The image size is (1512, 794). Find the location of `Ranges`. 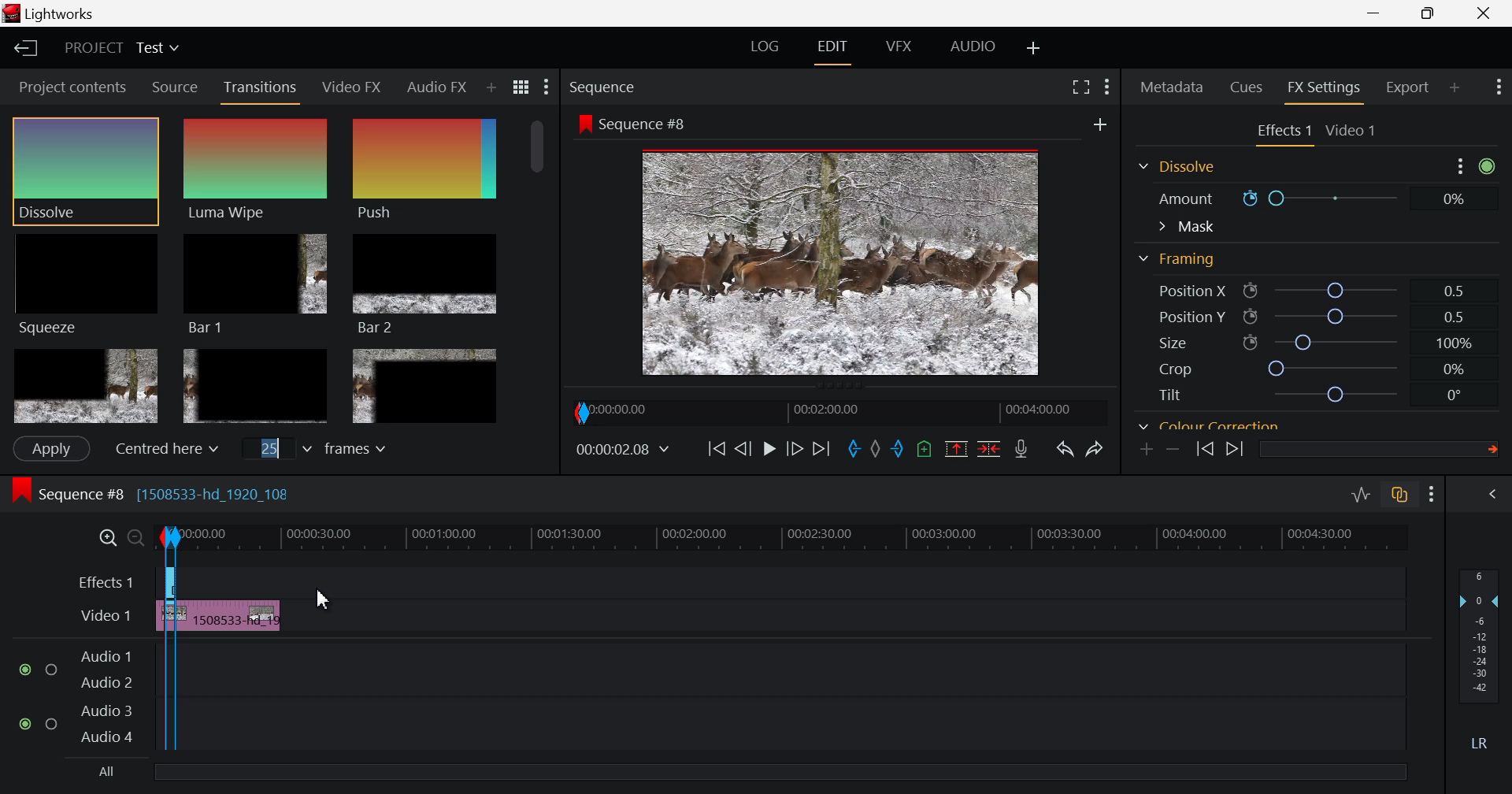

Ranges is located at coordinates (1298, 369).